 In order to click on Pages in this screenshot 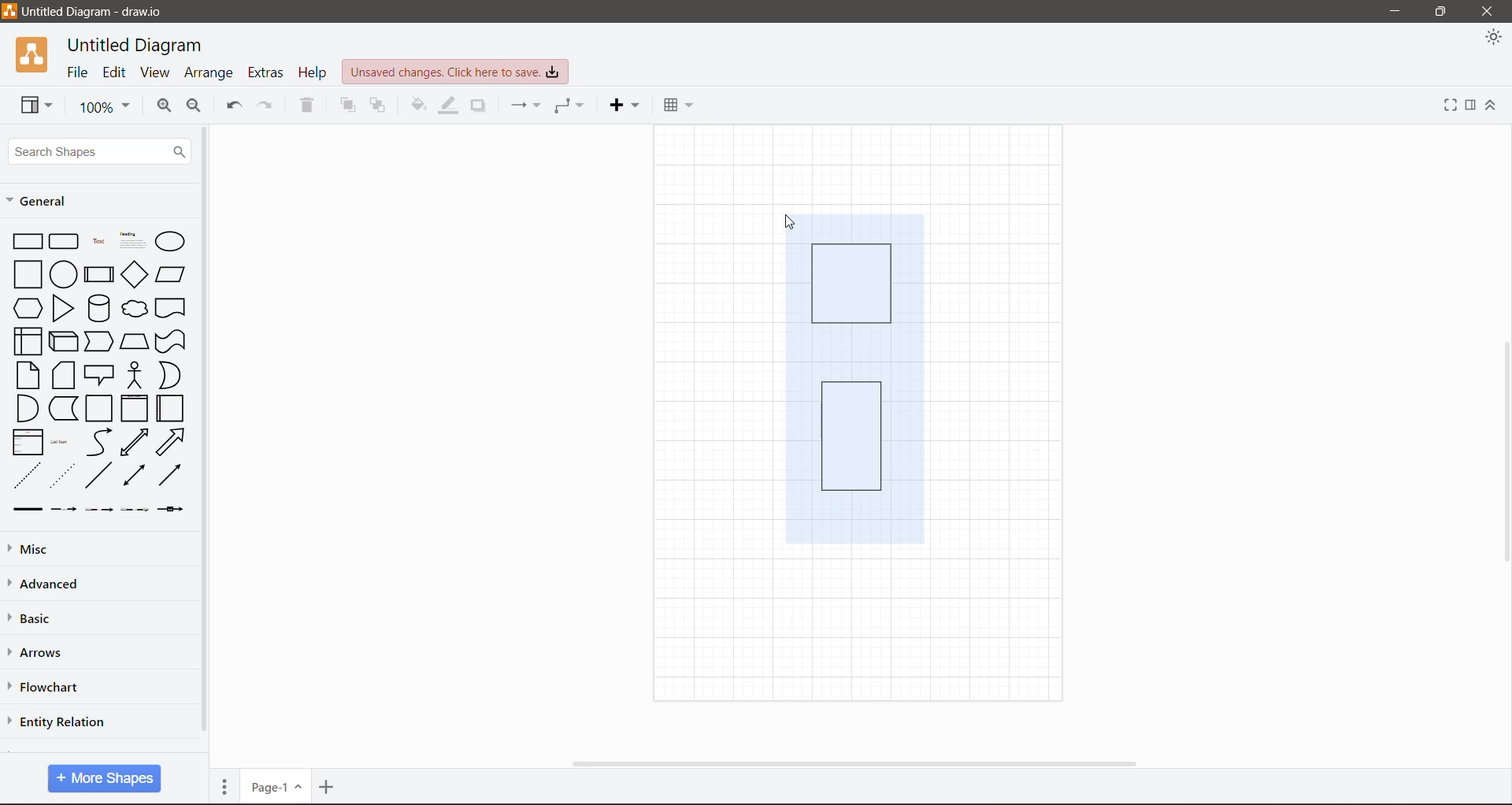, I will do `click(225, 785)`.